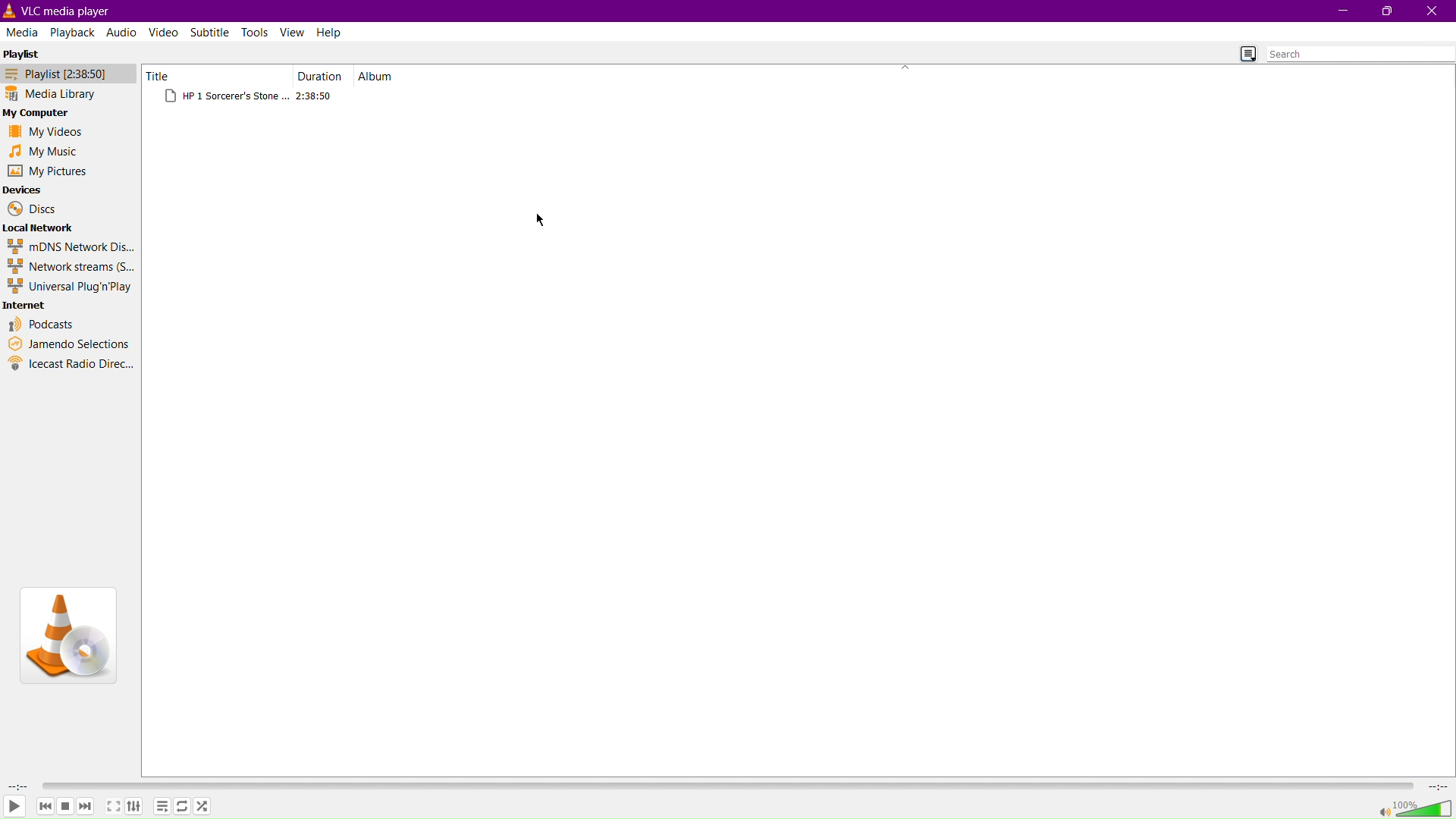 Image resolution: width=1456 pixels, height=819 pixels. Describe the element at coordinates (380, 76) in the screenshot. I see `Album` at that location.